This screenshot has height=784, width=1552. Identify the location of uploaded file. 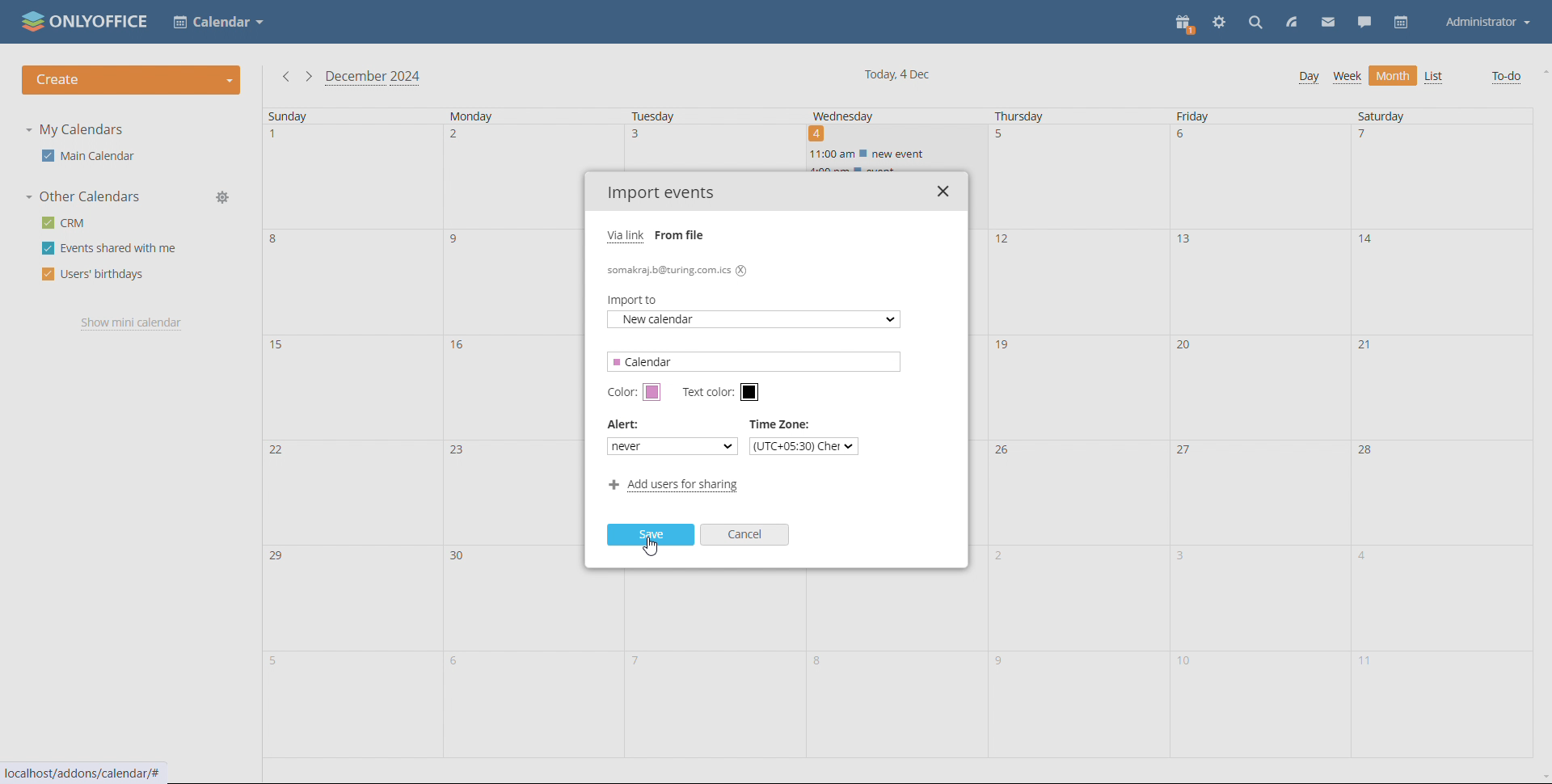
(678, 269).